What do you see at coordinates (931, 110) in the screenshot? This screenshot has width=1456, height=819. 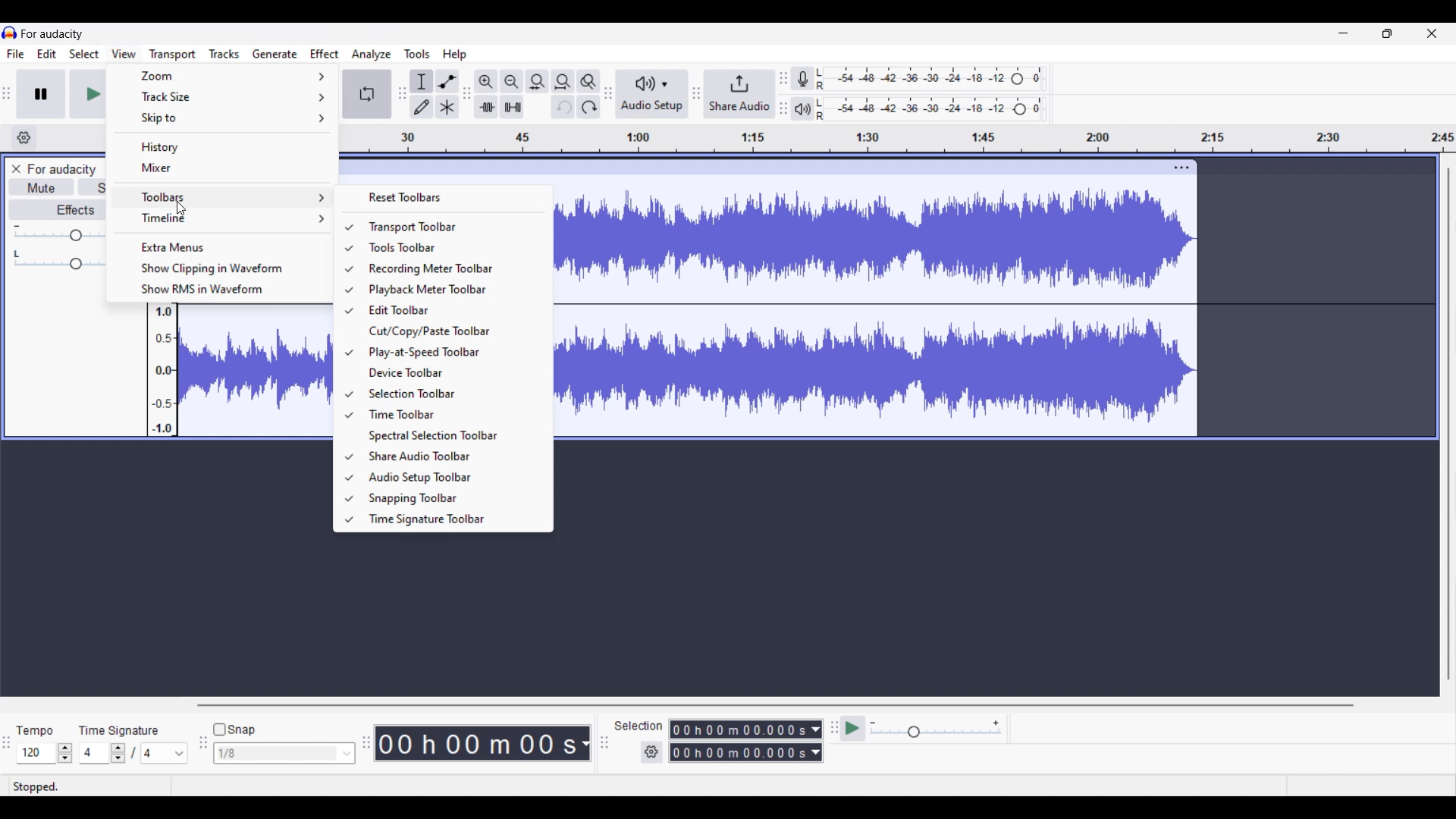 I see `Playback level` at bounding box center [931, 110].